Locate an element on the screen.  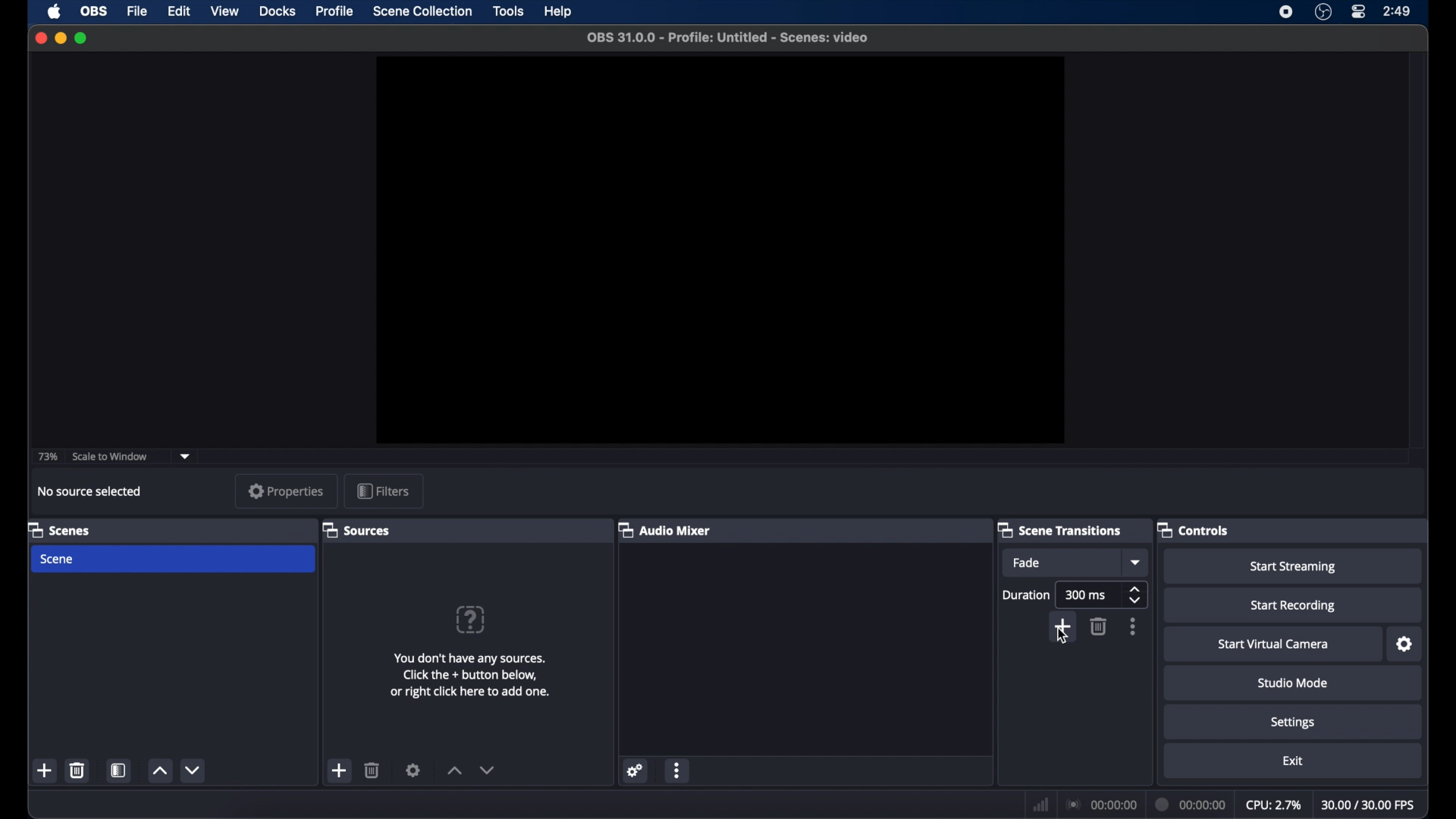
exit is located at coordinates (1293, 761).